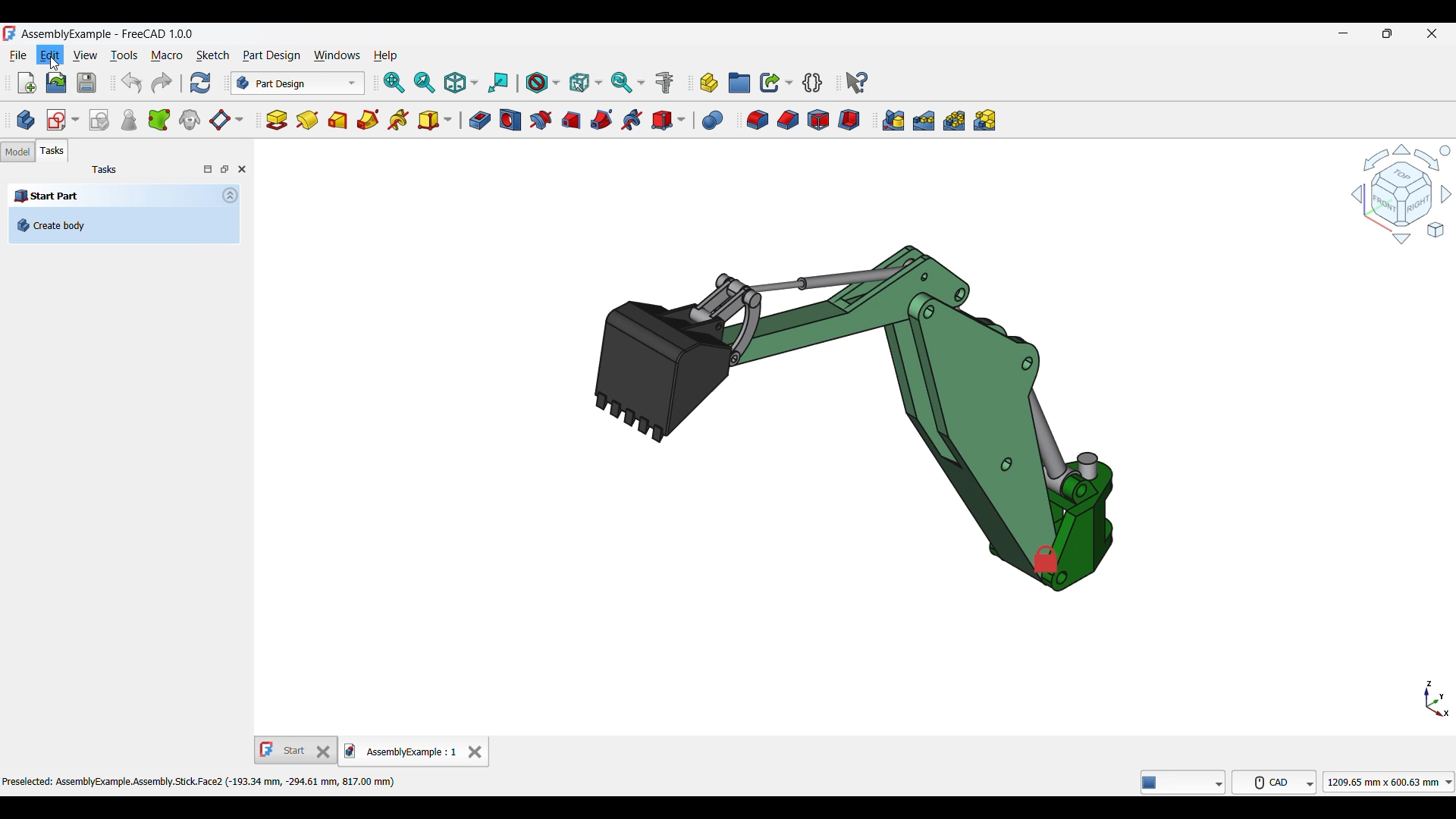 The width and height of the screenshot is (1456, 819). What do you see at coordinates (777, 83) in the screenshot?
I see `Make link options` at bounding box center [777, 83].